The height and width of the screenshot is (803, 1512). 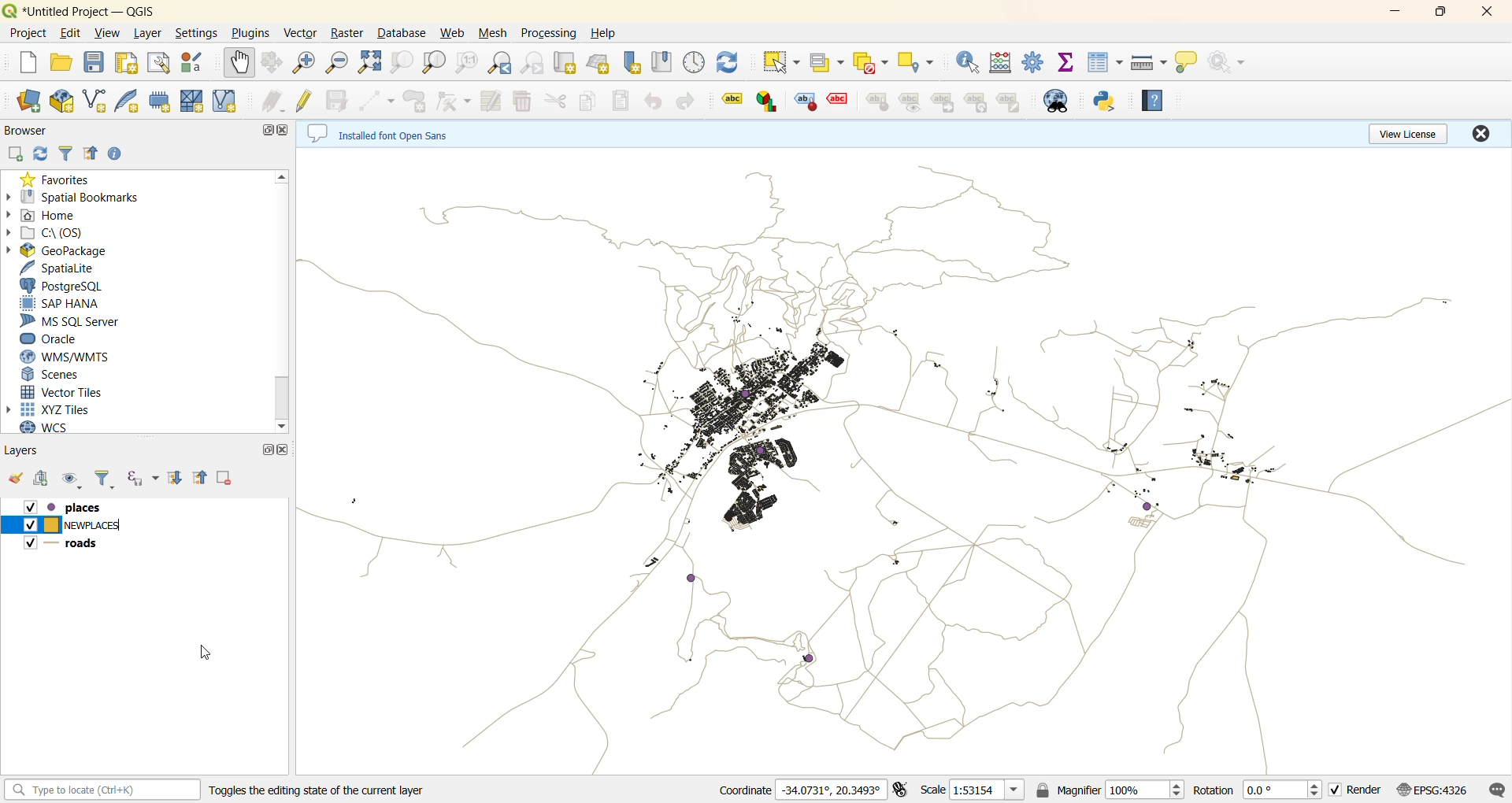 I want to click on sap  hana, so click(x=61, y=303).